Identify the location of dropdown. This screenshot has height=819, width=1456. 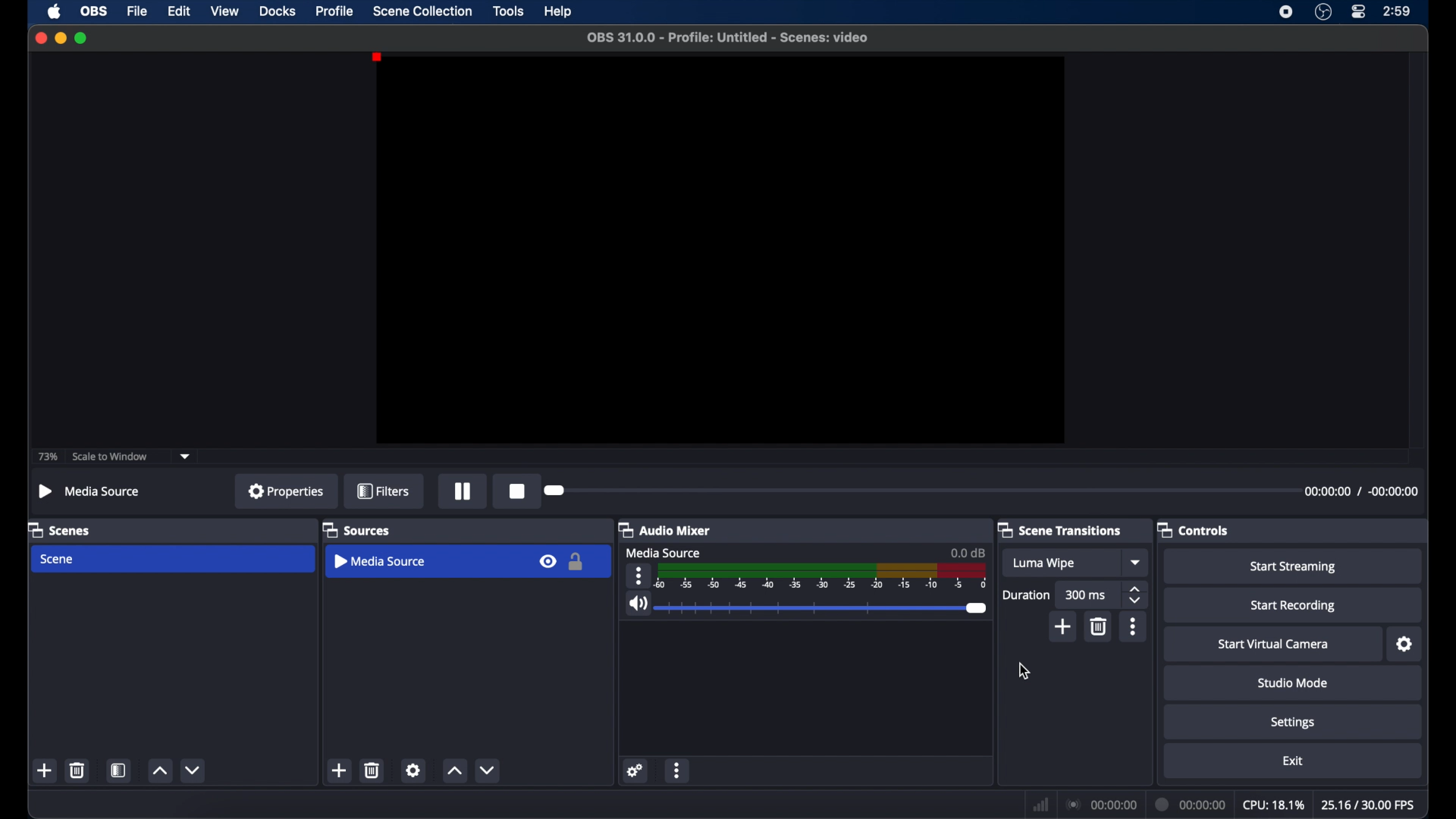
(1137, 562).